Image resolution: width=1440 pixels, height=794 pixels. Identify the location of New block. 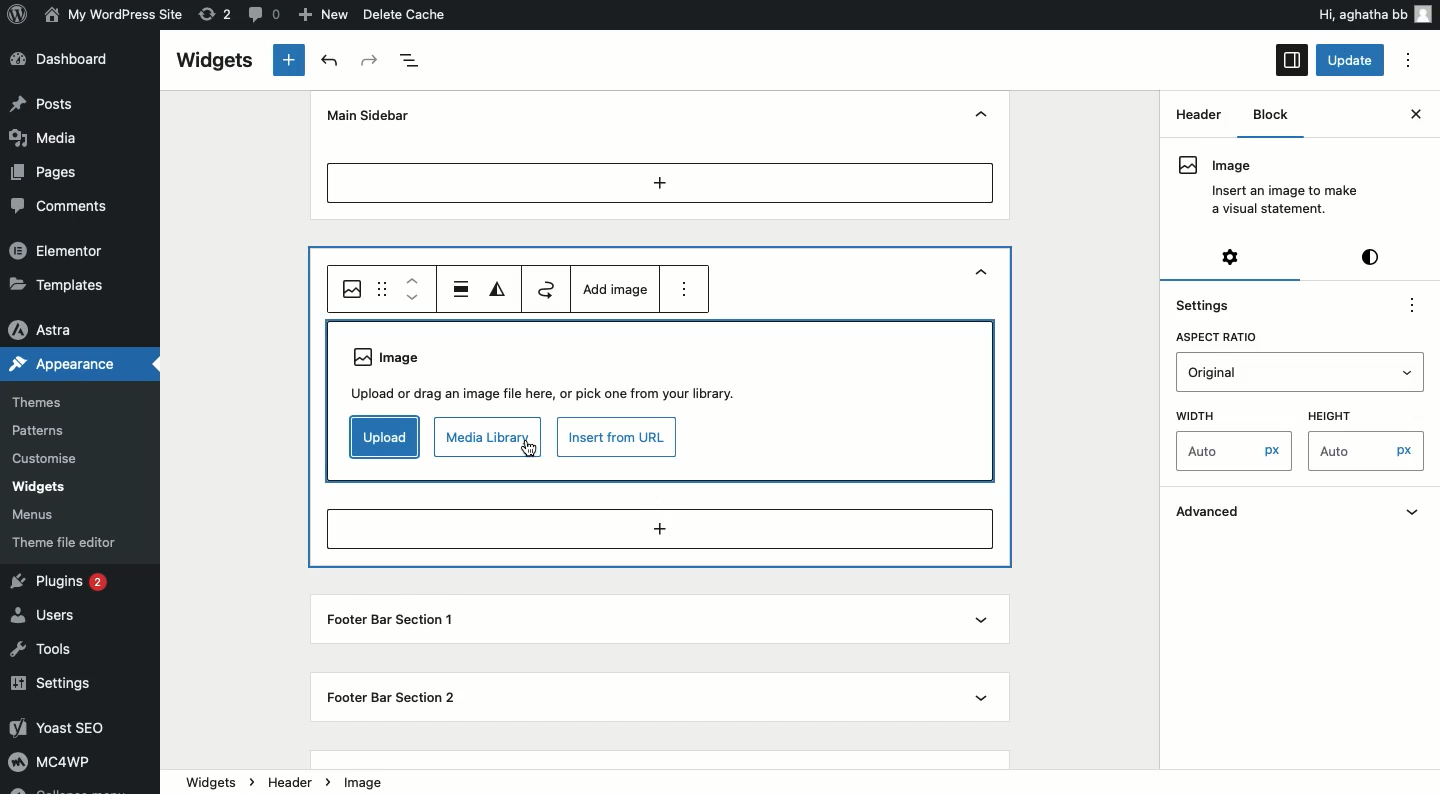
(290, 60).